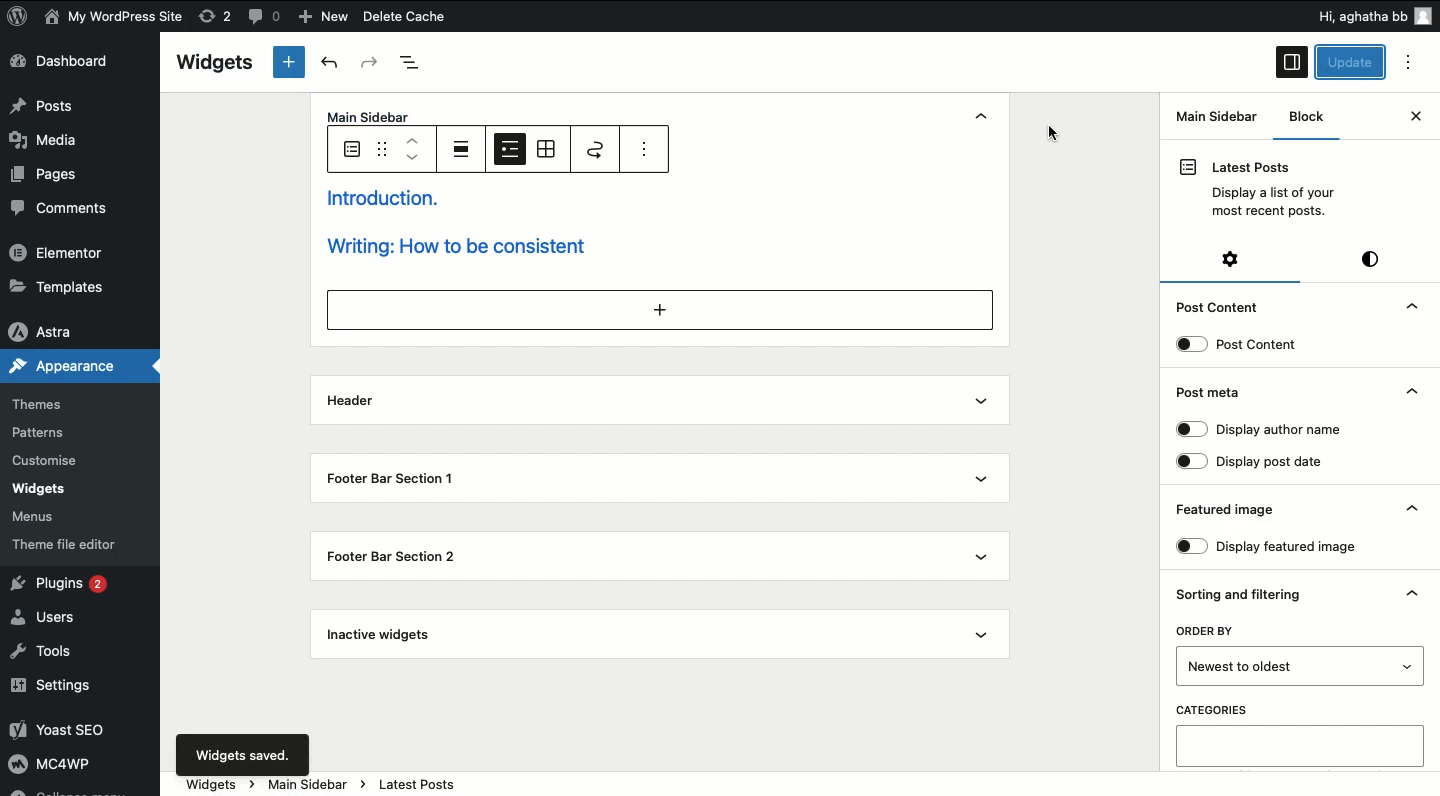  Describe the element at coordinates (1221, 512) in the screenshot. I see `Featured image` at that location.